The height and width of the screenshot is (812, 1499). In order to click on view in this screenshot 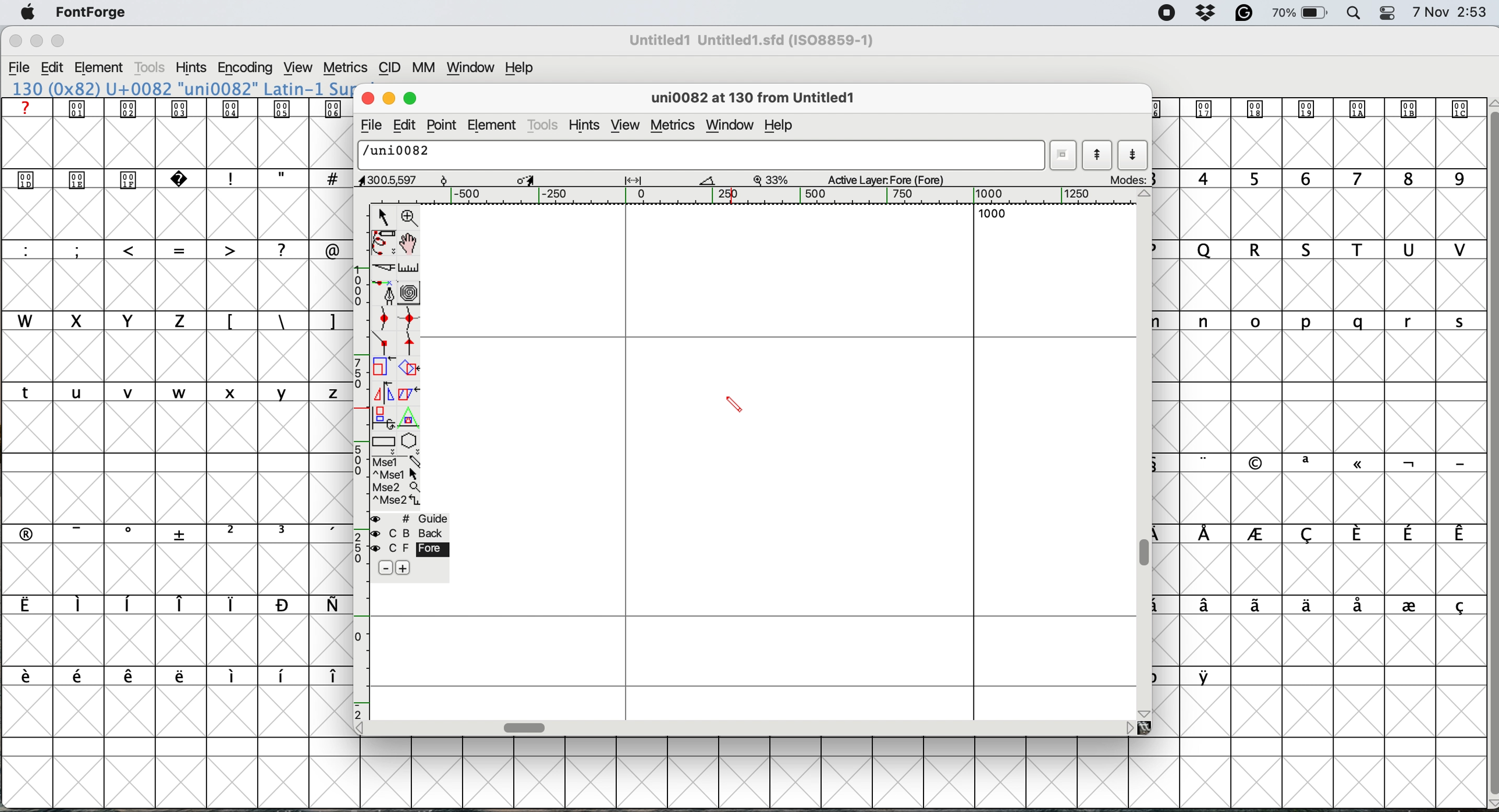, I will do `click(626, 126)`.